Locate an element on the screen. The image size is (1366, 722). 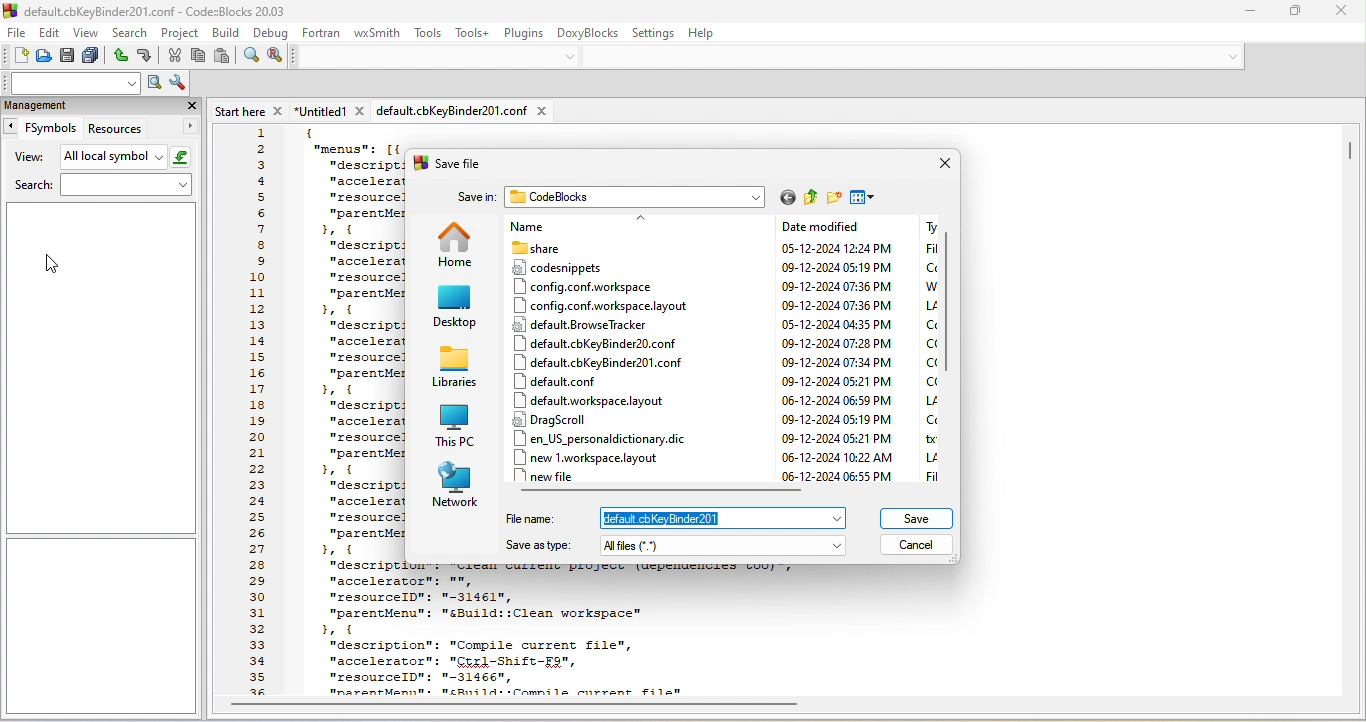
resources is located at coordinates (144, 128).